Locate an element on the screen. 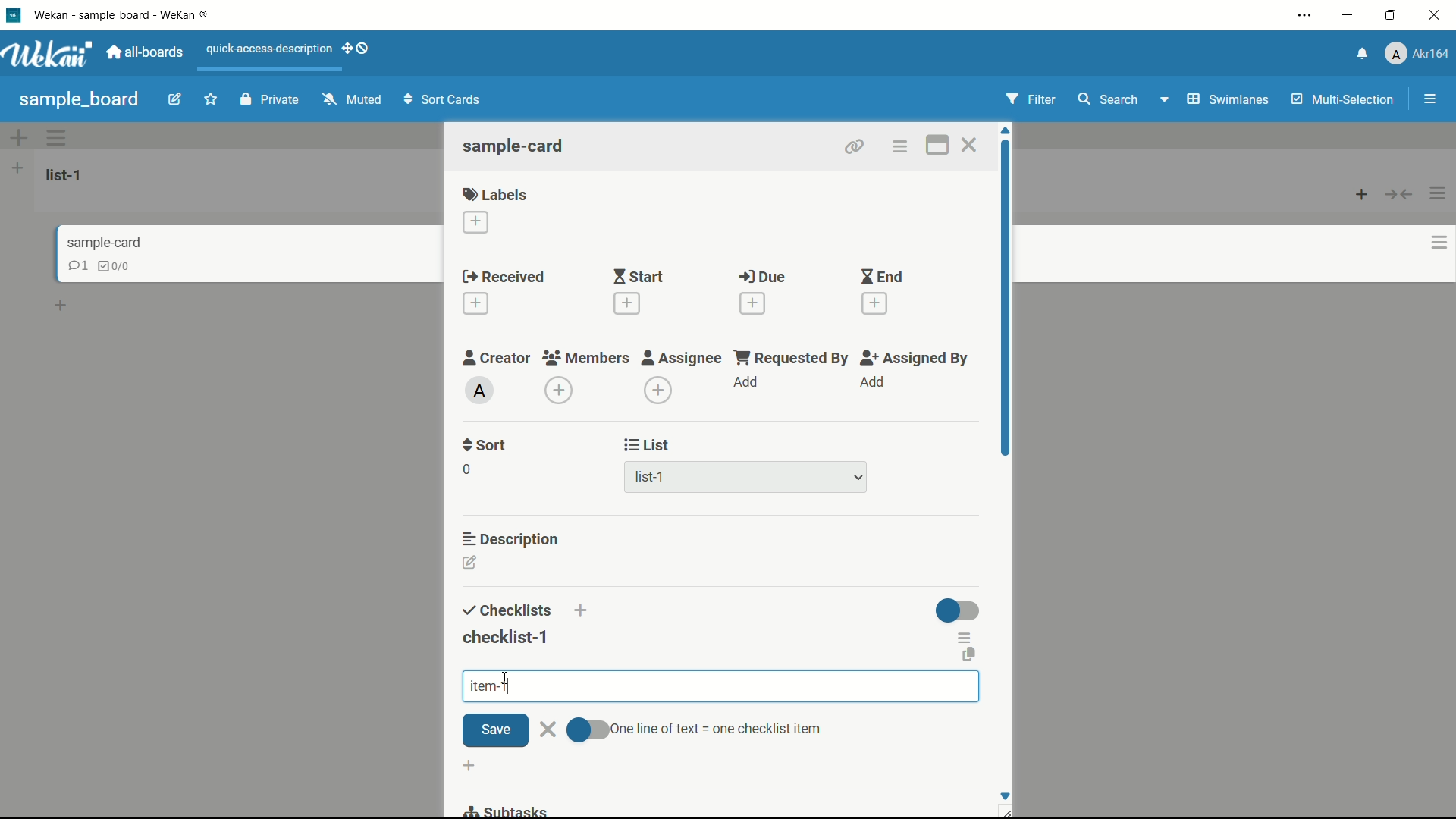 This screenshot has height=819, width=1456. add is located at coordinates (64, 305).